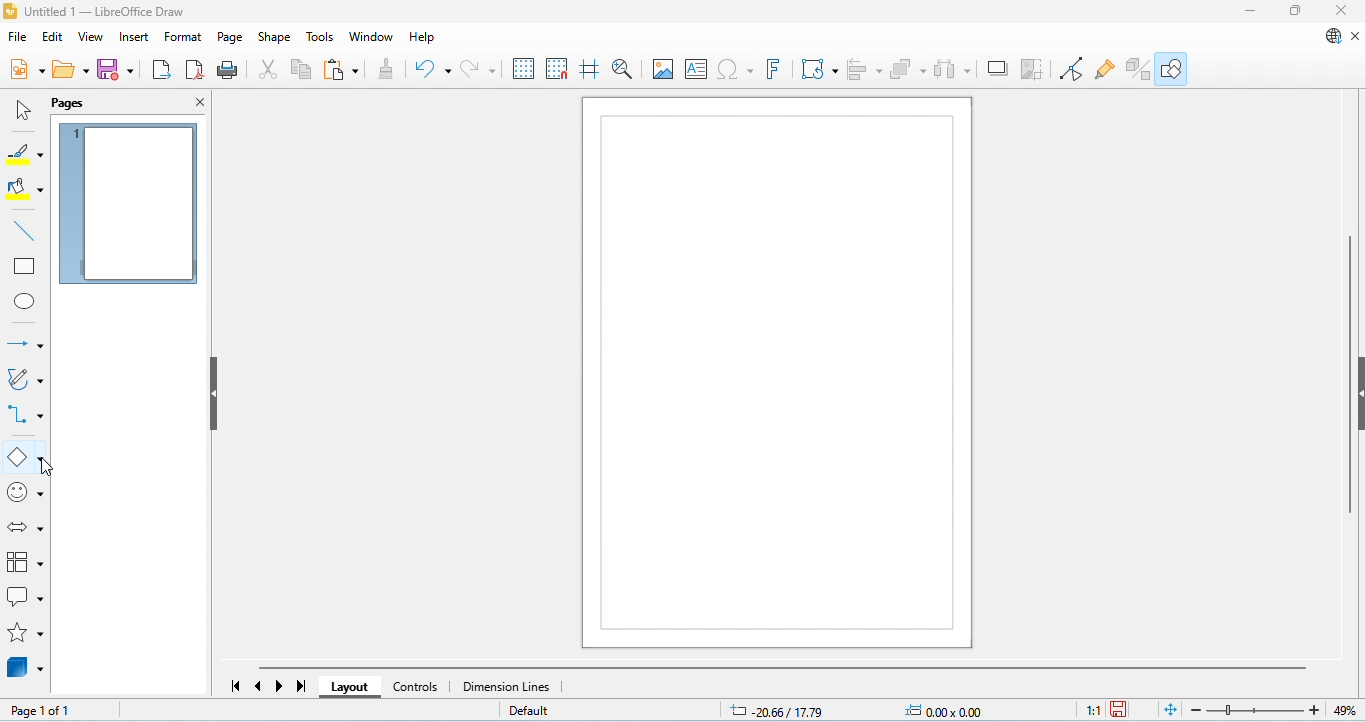 The width and height of the screenshot is (1366, 722). Describe the element at coordinates (26, 528) in the screenshot. I see `block arrows` at that location.